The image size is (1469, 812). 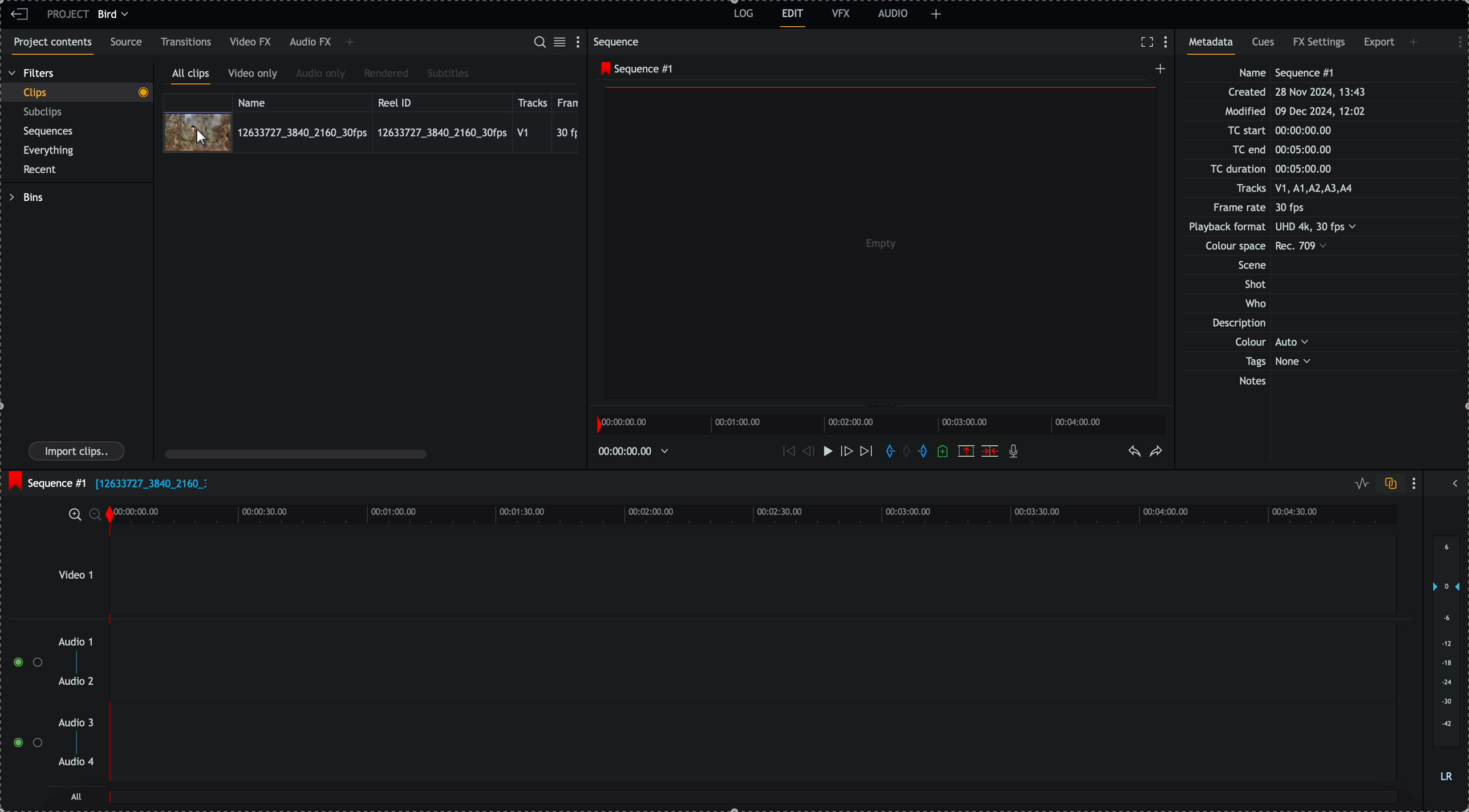 I want to click on log, so click(x=742, y=15).